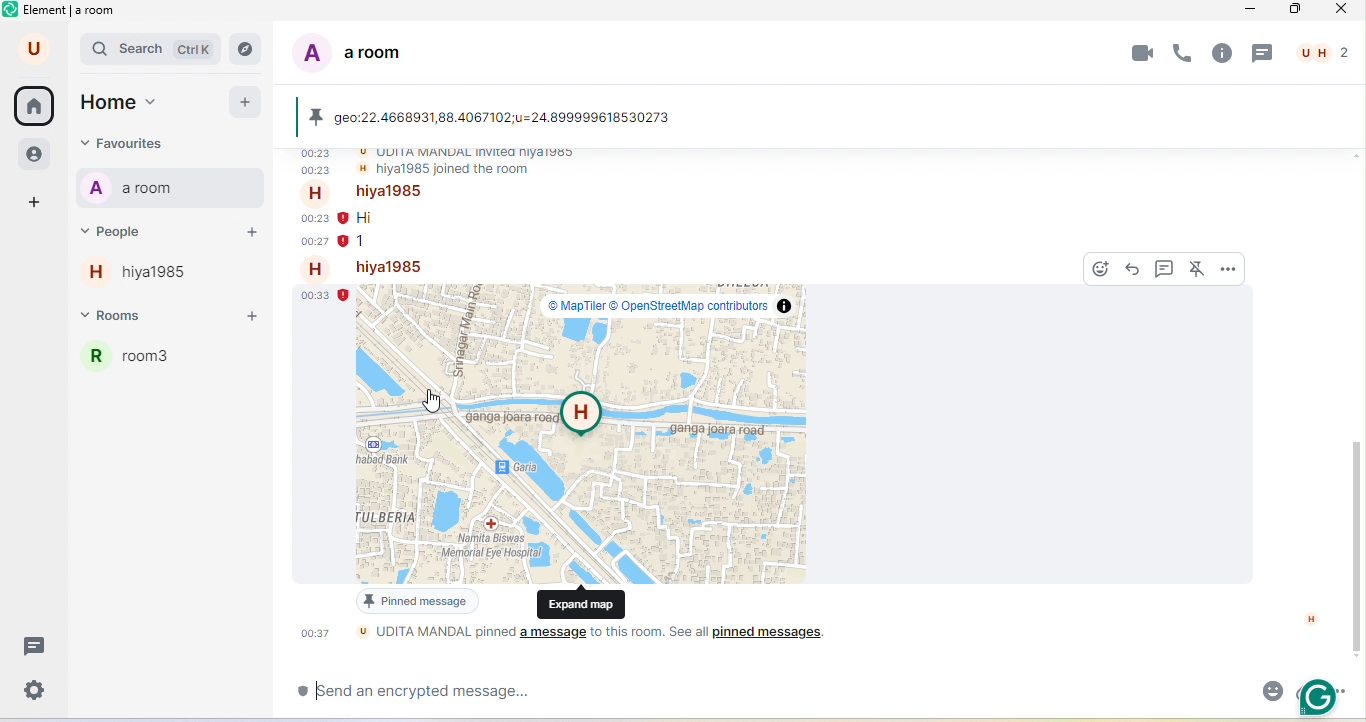 The width and height of the screenshot is (1366, 722). What do you see at coordinates (1311, 619) in the screenshot?
I see `H` at bounding box center [1311, 619].